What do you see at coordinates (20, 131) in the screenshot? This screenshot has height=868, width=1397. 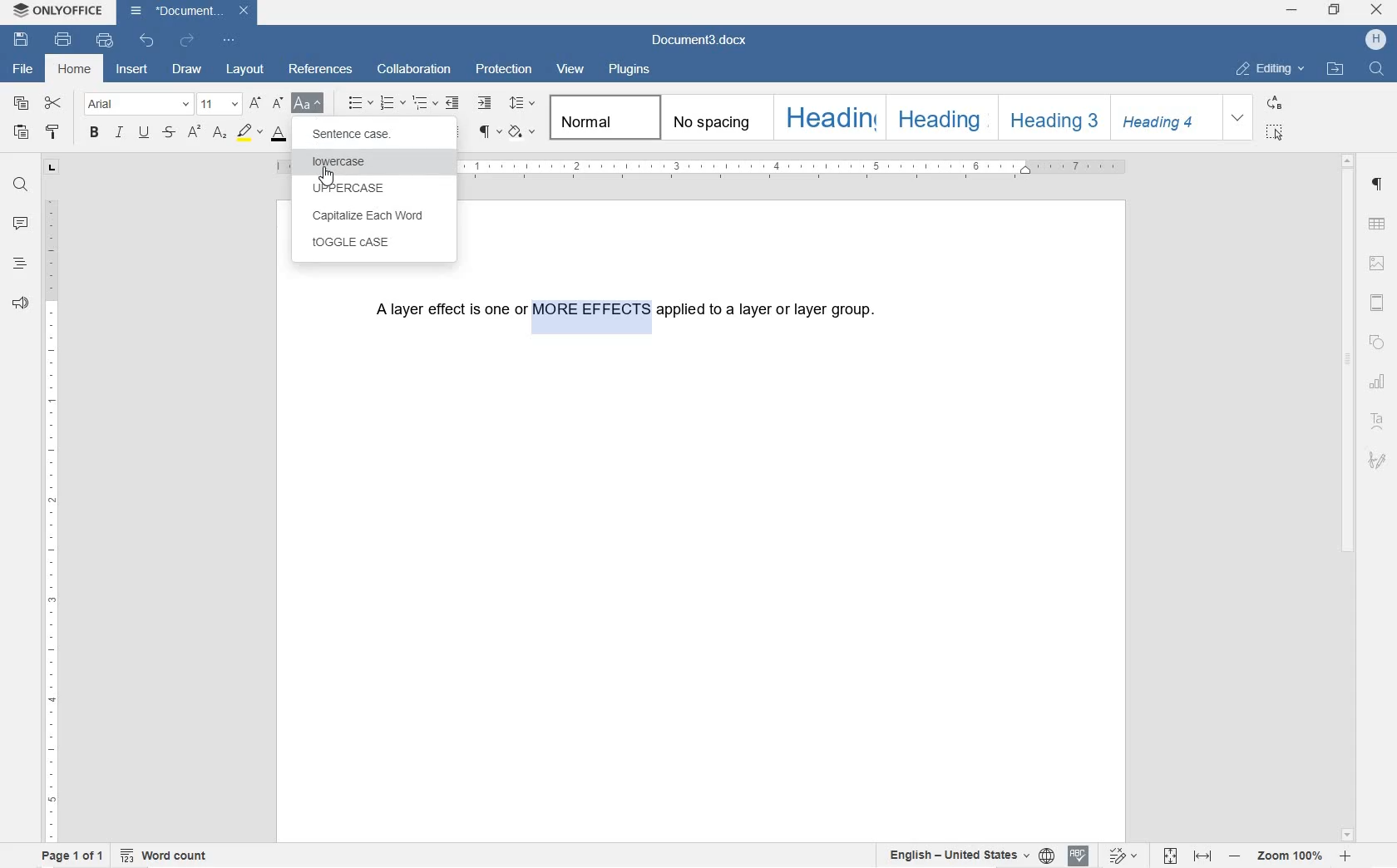 I see `PASTE` at bounding box center [20, 131].